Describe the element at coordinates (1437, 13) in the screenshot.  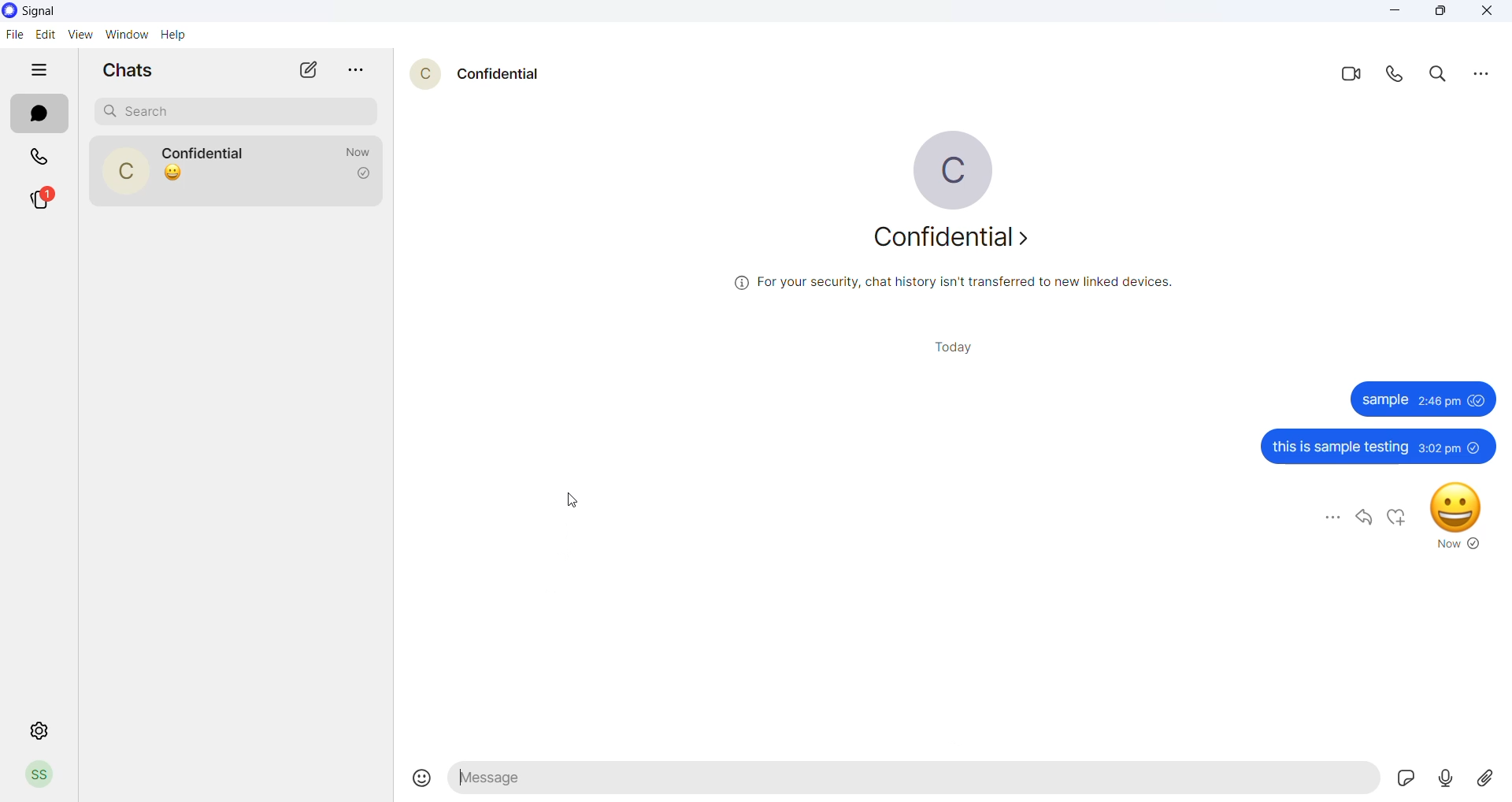
I see `maximize` at that location.